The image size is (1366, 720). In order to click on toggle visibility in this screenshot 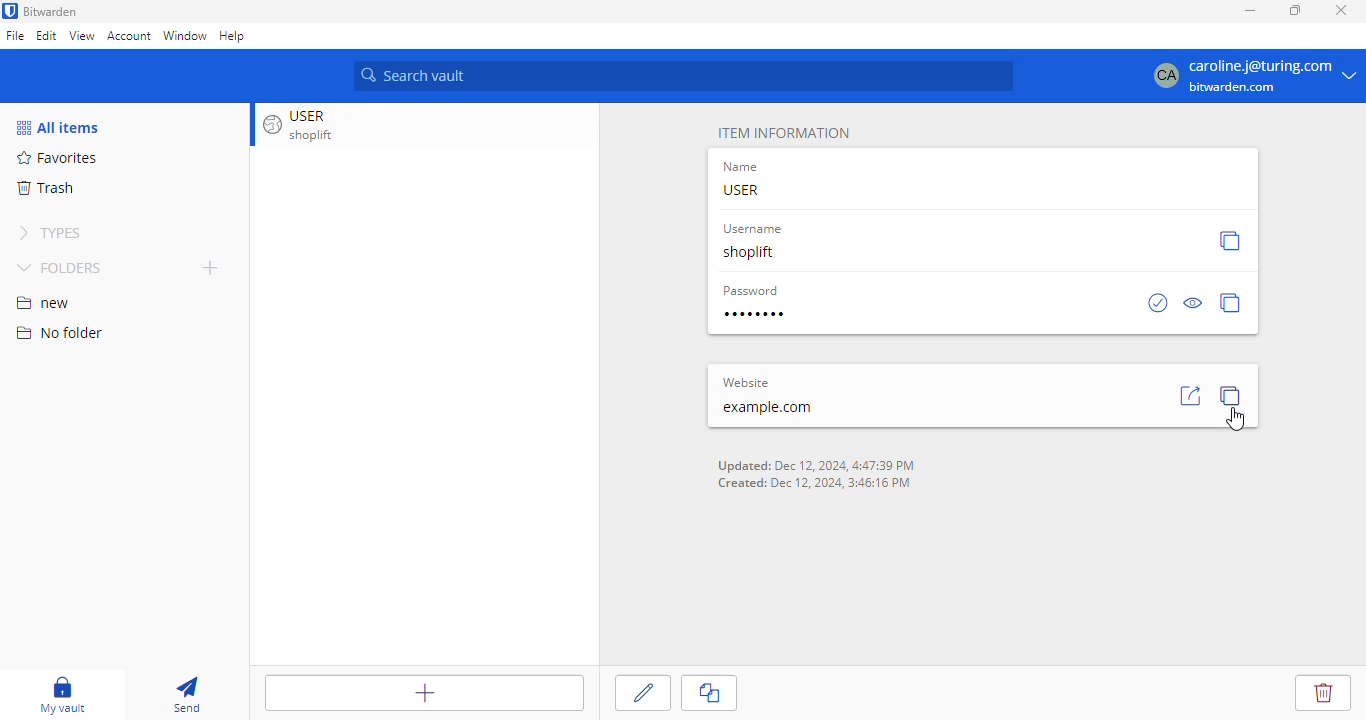, I will do `click(1194, 302)`.